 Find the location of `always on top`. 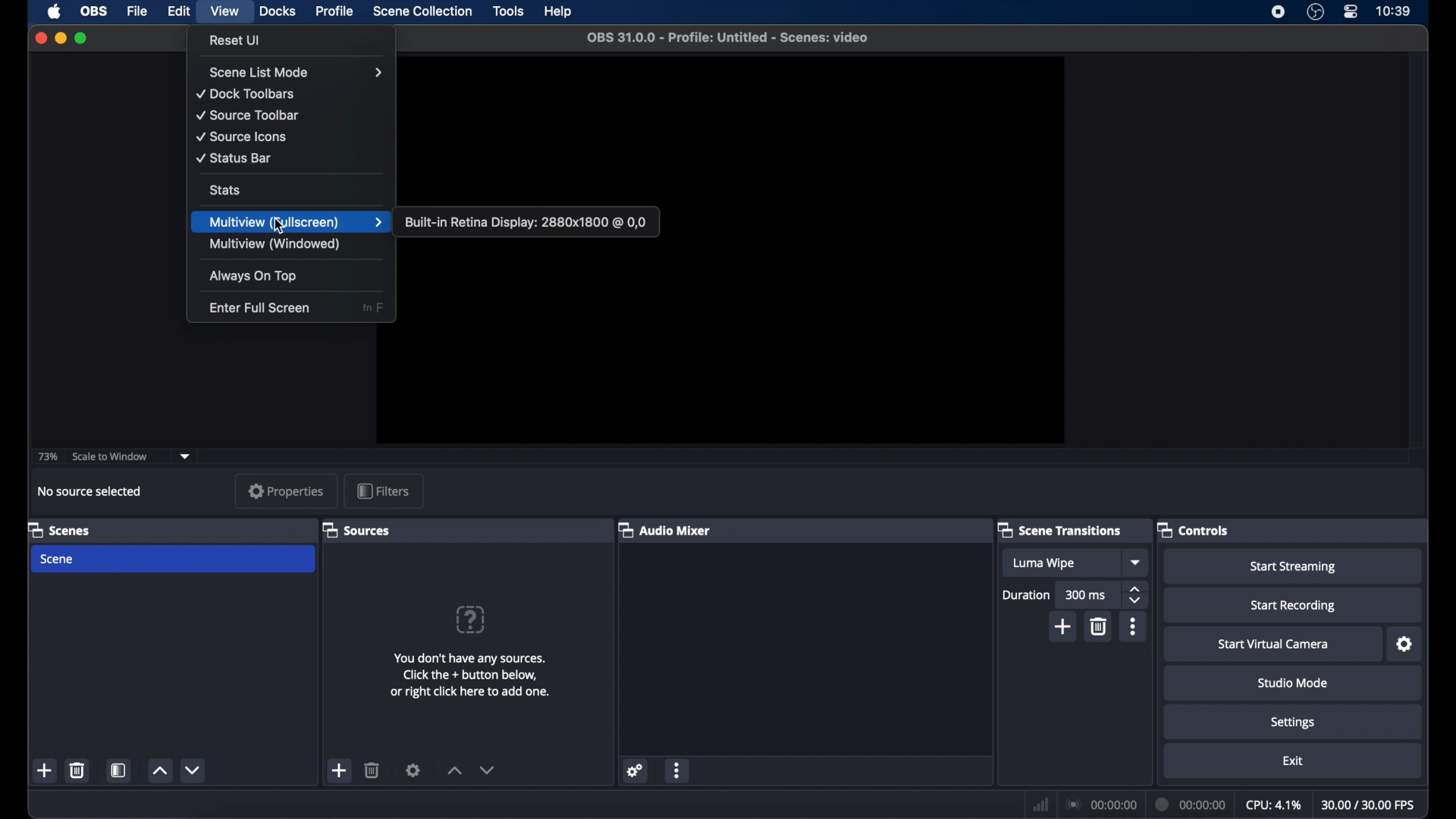

always on top is located at coordinates (253, 276).